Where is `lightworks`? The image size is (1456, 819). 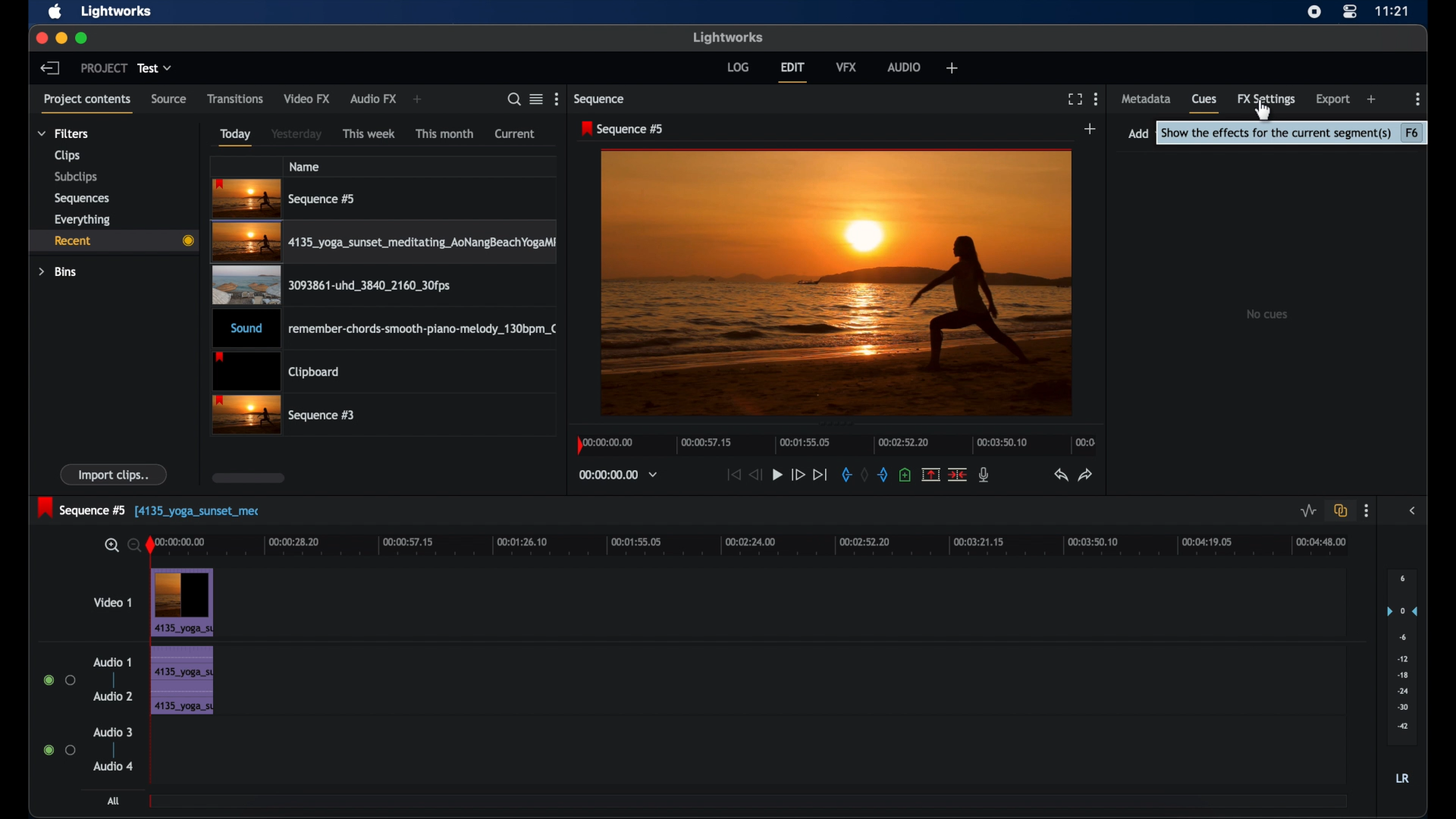
lightworks is located at coordinates (117, 11).